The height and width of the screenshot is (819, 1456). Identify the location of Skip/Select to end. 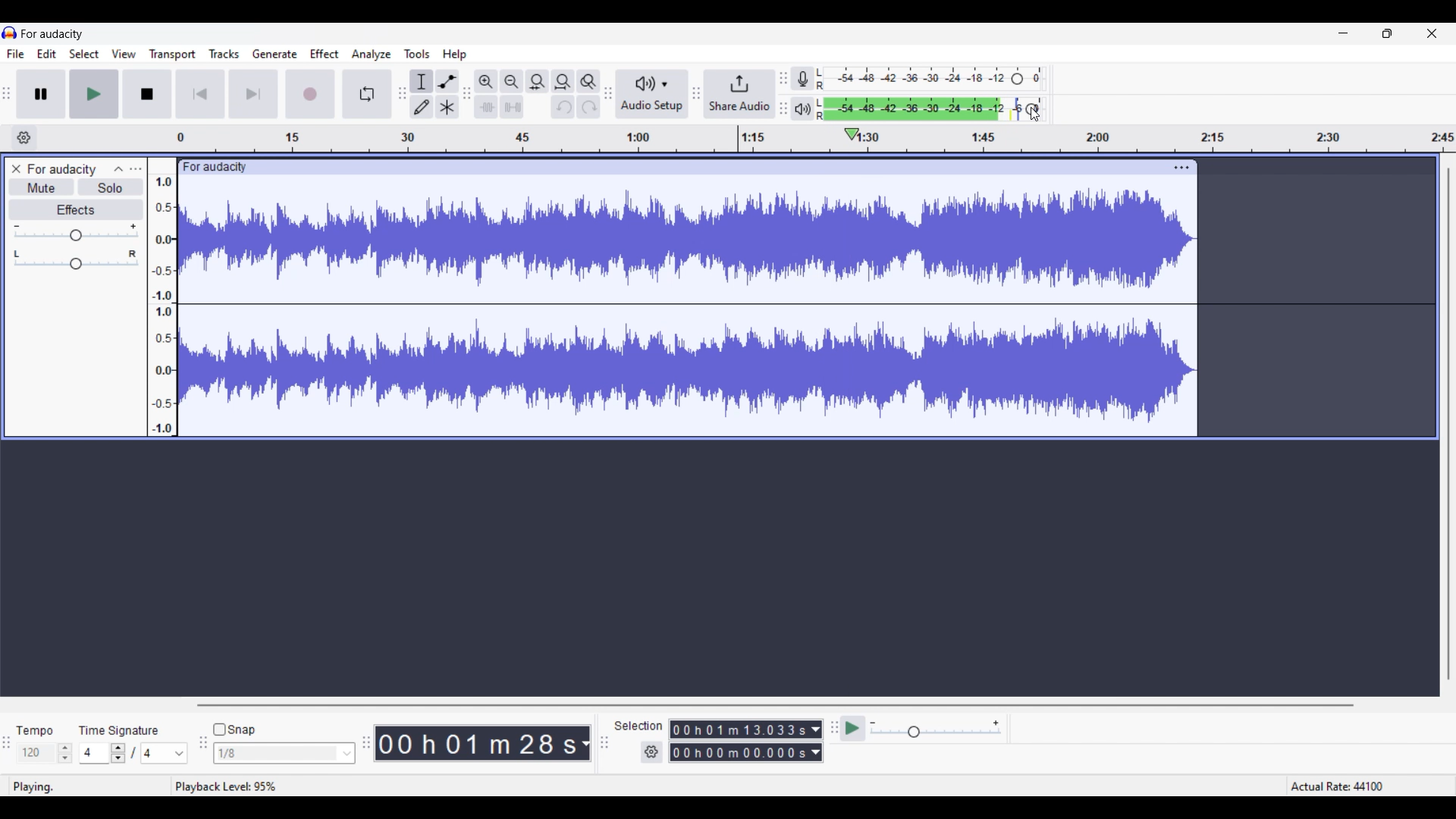
(254, 94).